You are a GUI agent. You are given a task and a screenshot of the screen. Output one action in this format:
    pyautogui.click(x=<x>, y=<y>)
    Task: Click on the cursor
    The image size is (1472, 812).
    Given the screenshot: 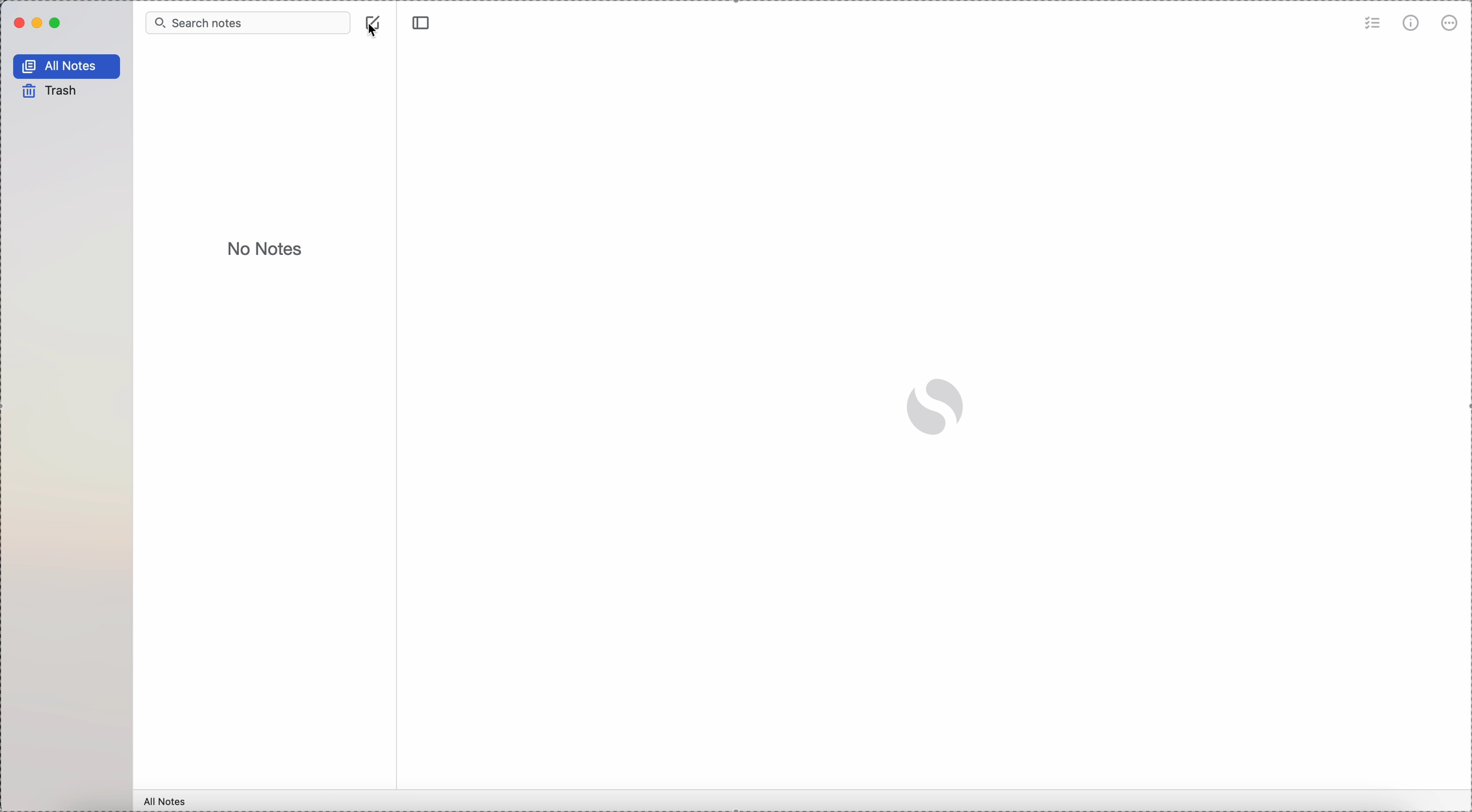 What is the action you would take?
    pyautogui.click(x=374, y=32)
    